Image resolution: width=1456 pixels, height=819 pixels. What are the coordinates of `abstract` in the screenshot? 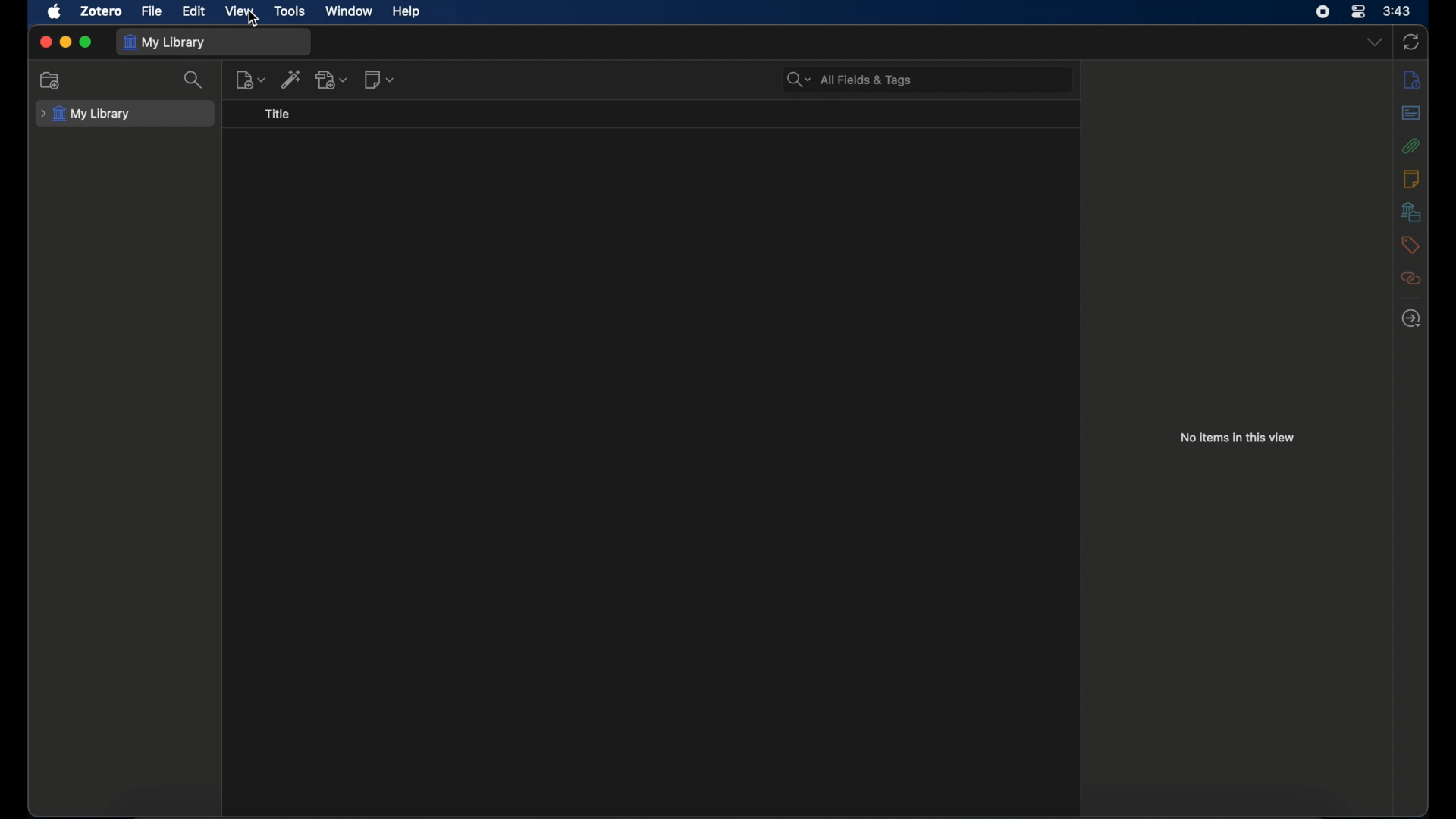 It's located at (1411, 113).